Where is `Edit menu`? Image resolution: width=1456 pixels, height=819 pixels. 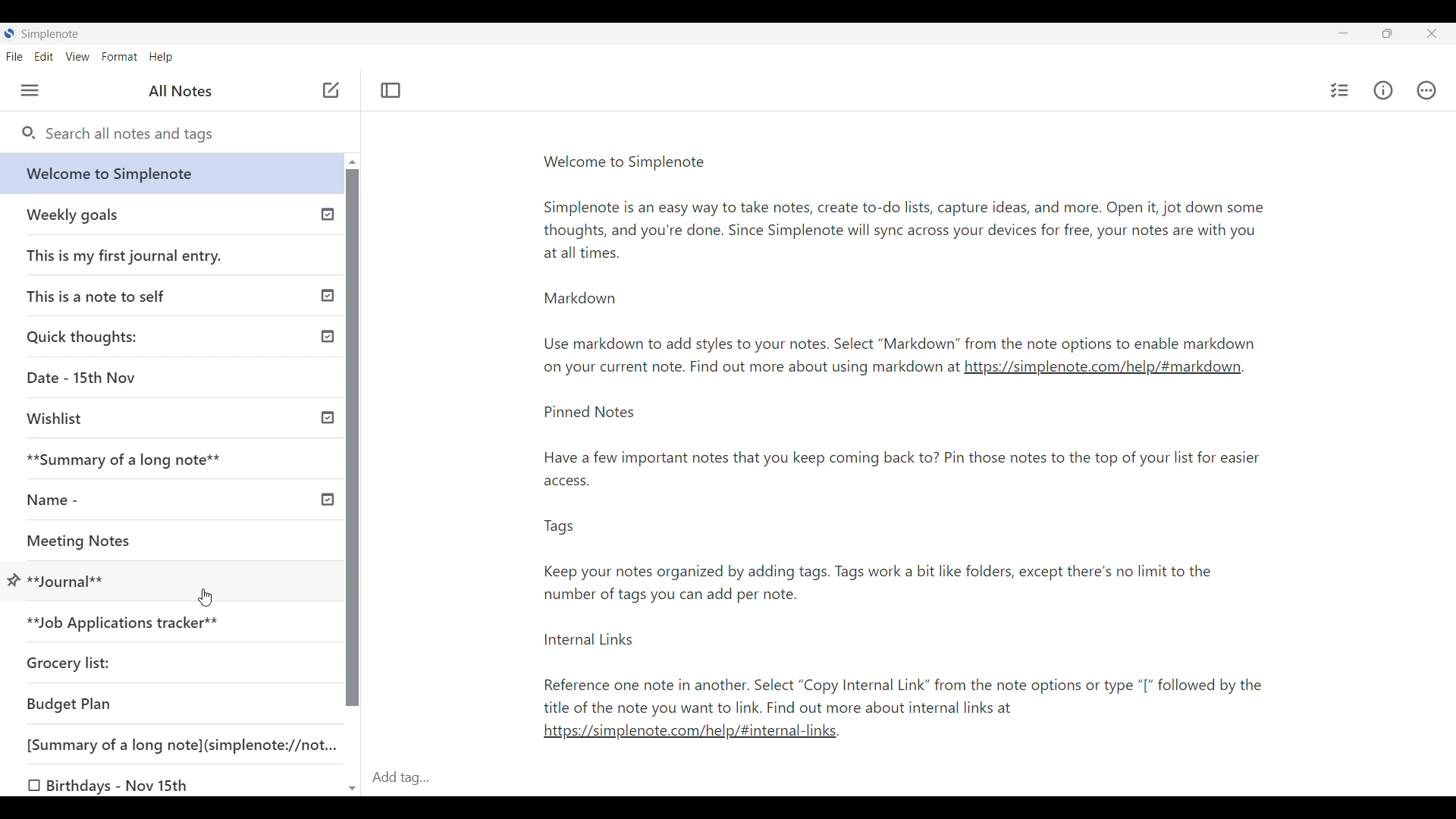 Edit menu is located at coordinates (44, 57).